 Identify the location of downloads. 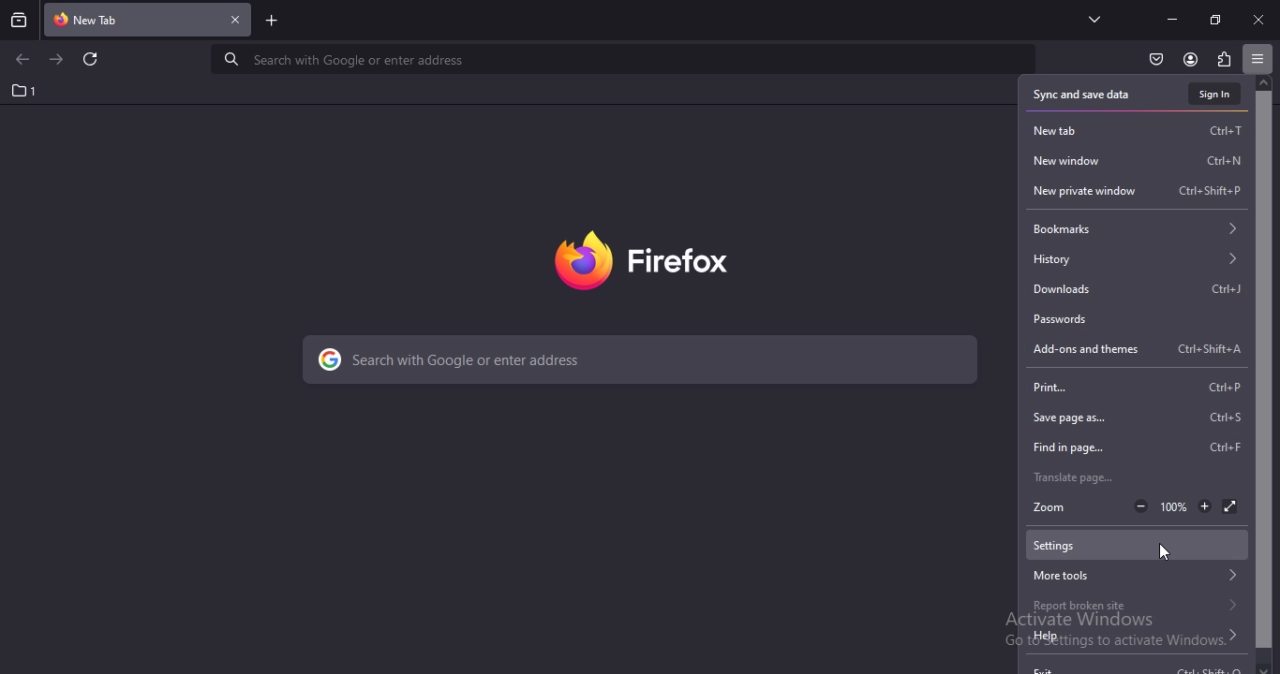
(1136, 287).